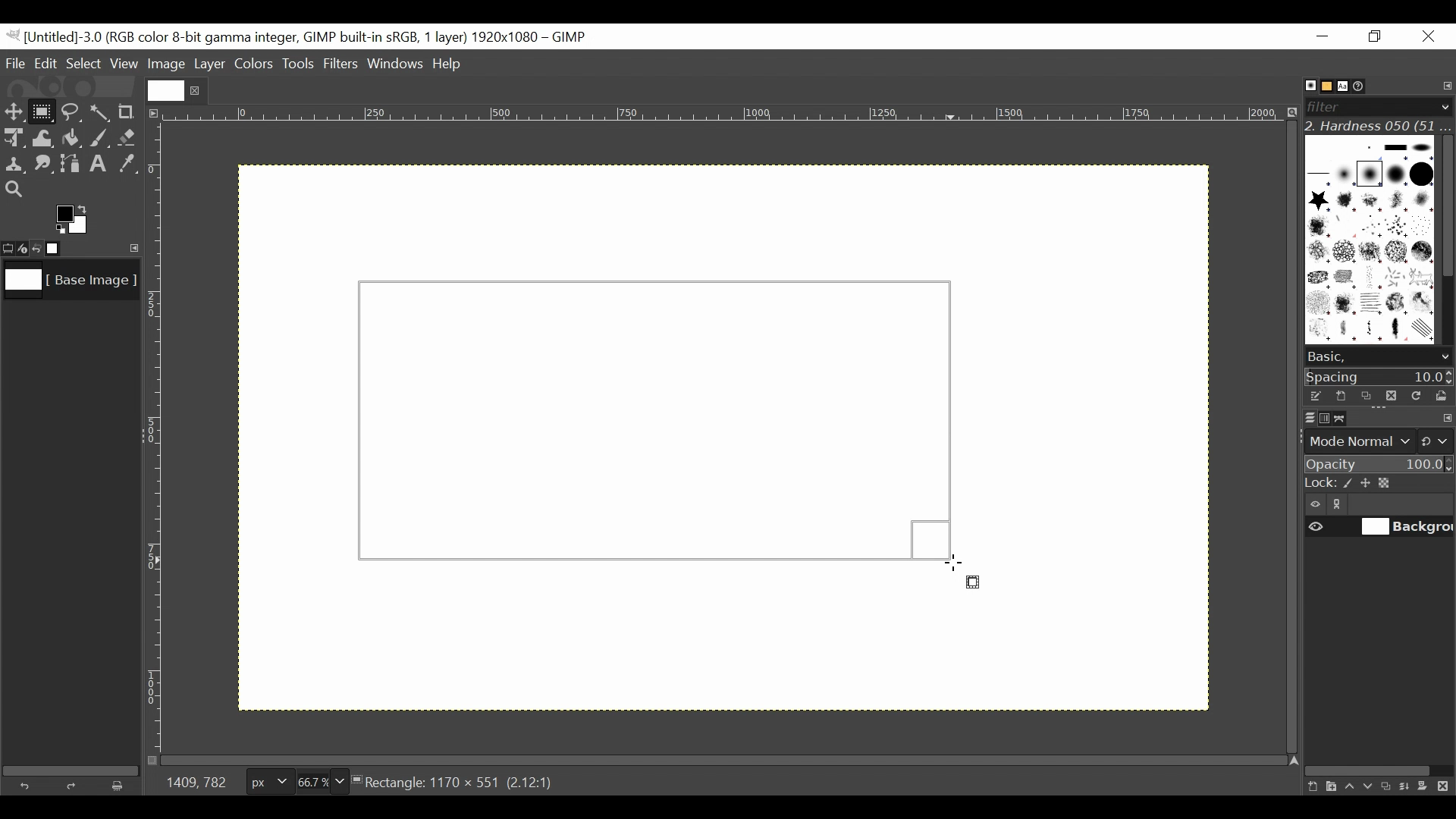  I want to click on Bucket Fill tool, so click(71, 139).